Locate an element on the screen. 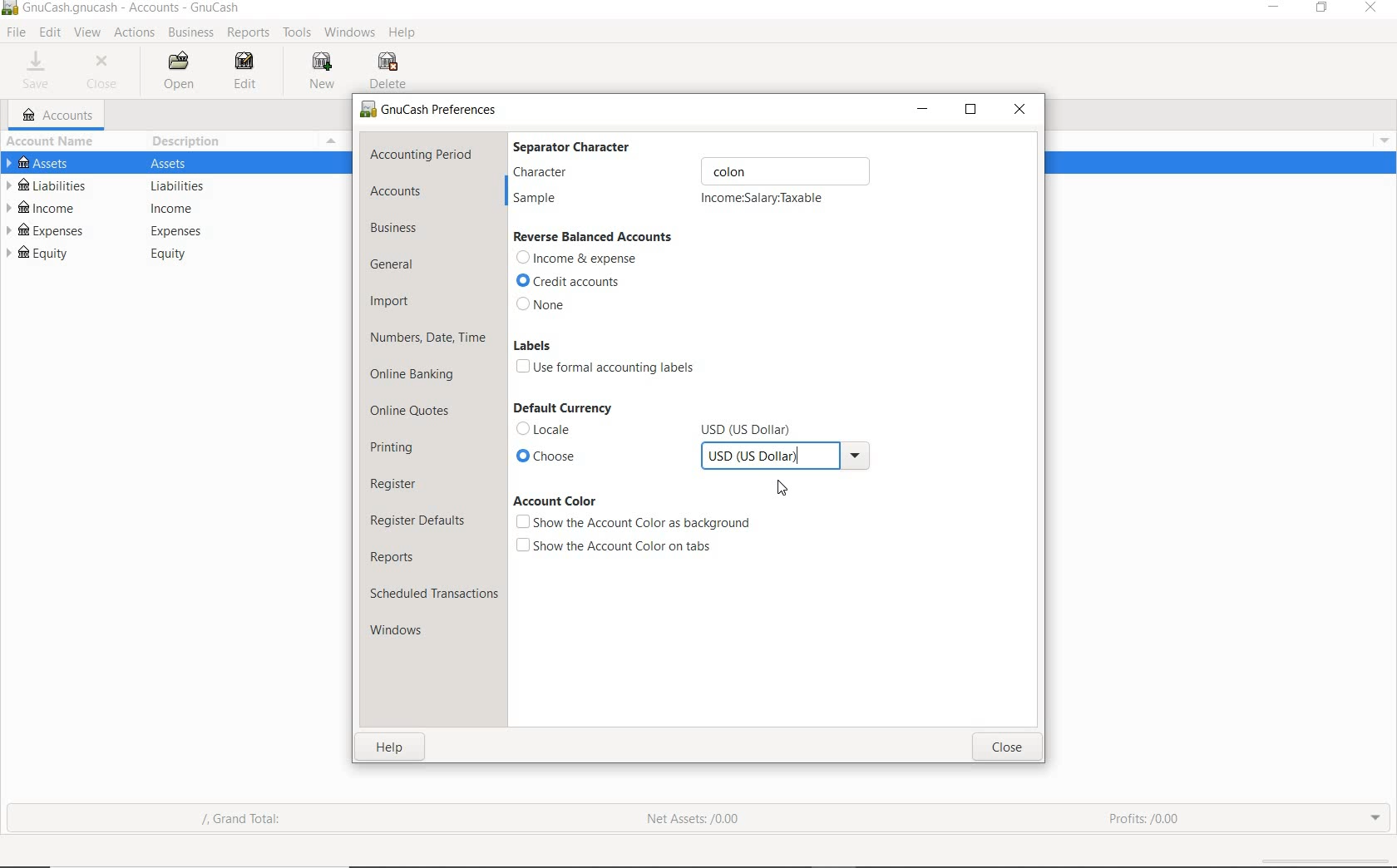 The width and height of the screenshot is (1397, 868). CLOSE is located at coordinates (106, 74).